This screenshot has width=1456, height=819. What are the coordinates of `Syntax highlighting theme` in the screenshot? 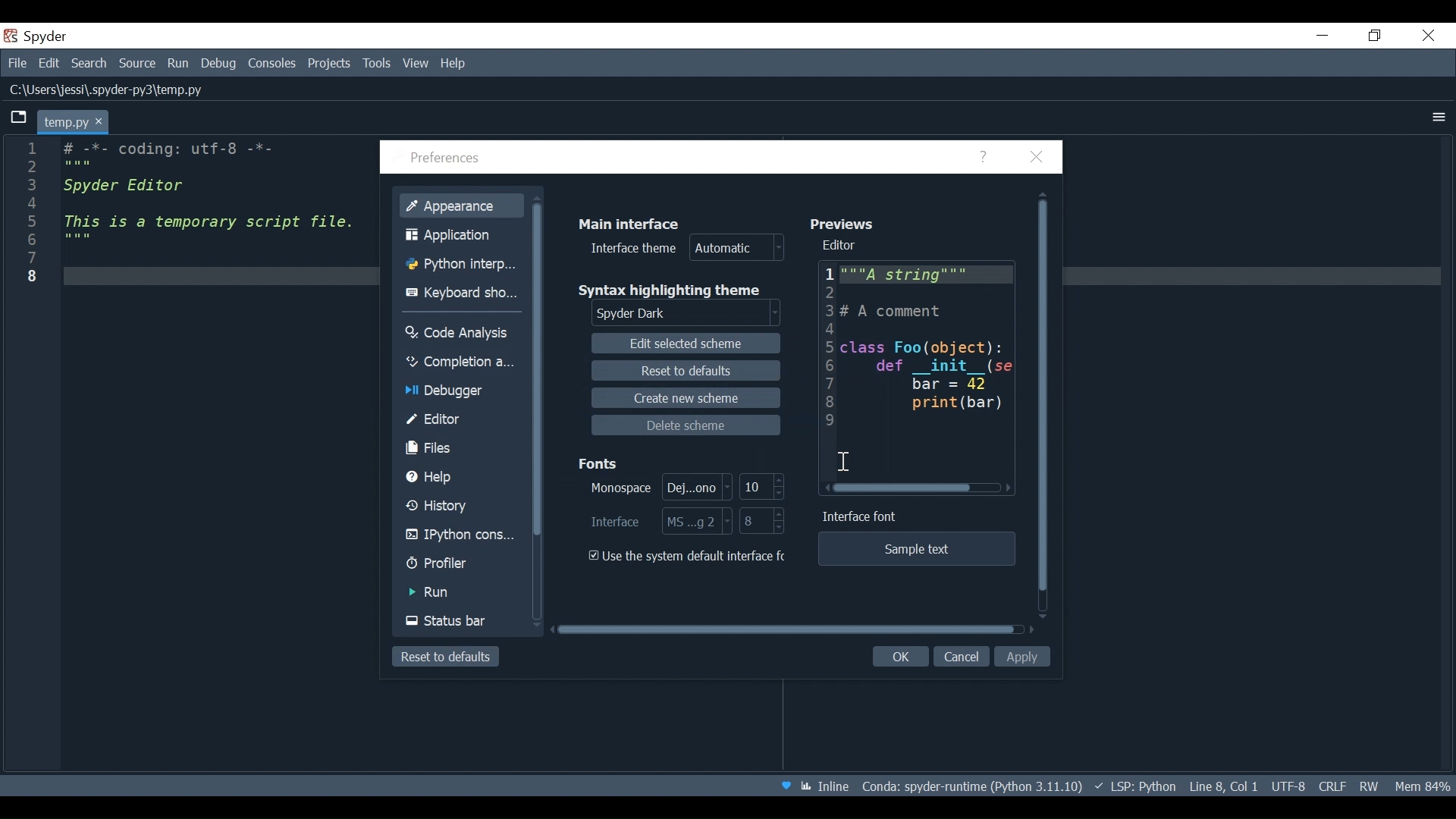 It's located at (679, 290).